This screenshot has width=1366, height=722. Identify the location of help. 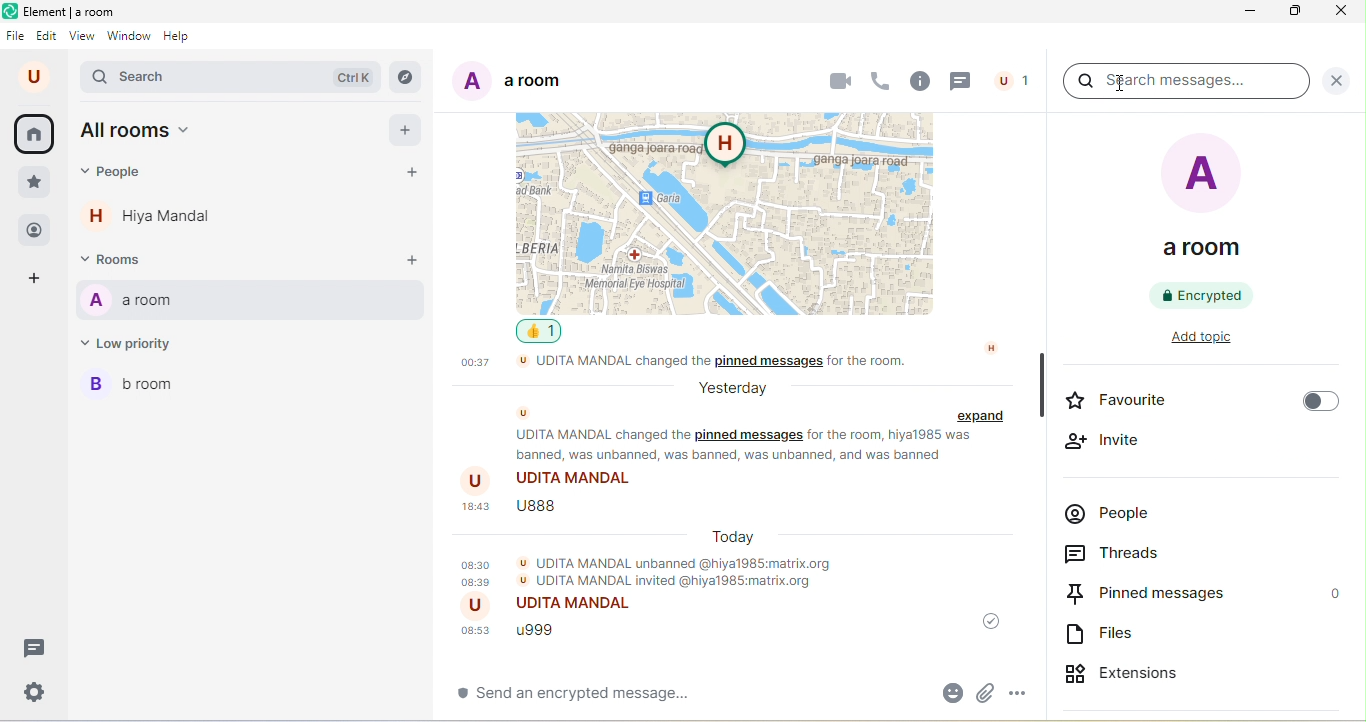
(182, 39).